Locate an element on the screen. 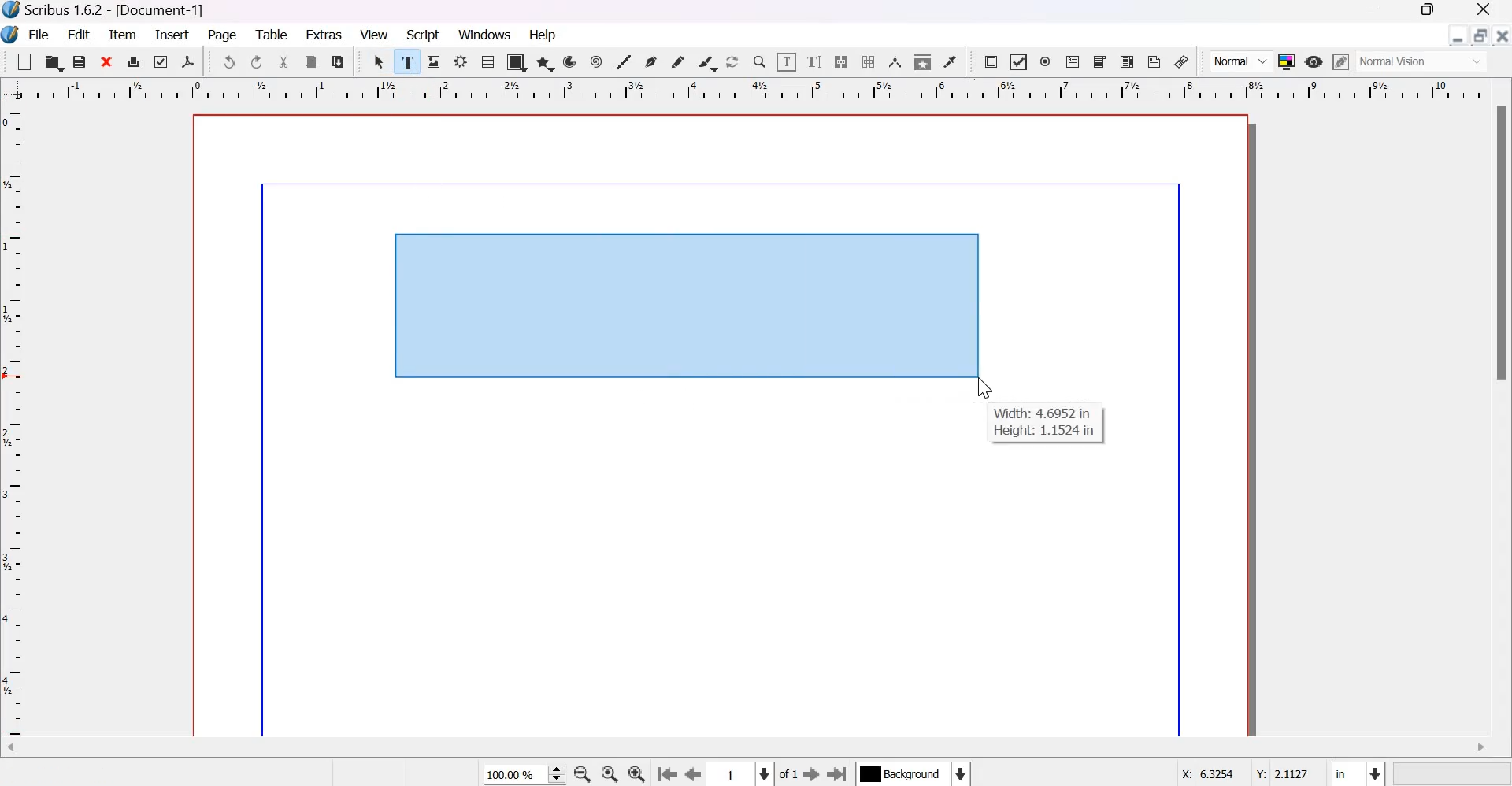 Image resolution: width=1512 pixels, height=786 pixels. Edit is located at coordinates (80, 34).